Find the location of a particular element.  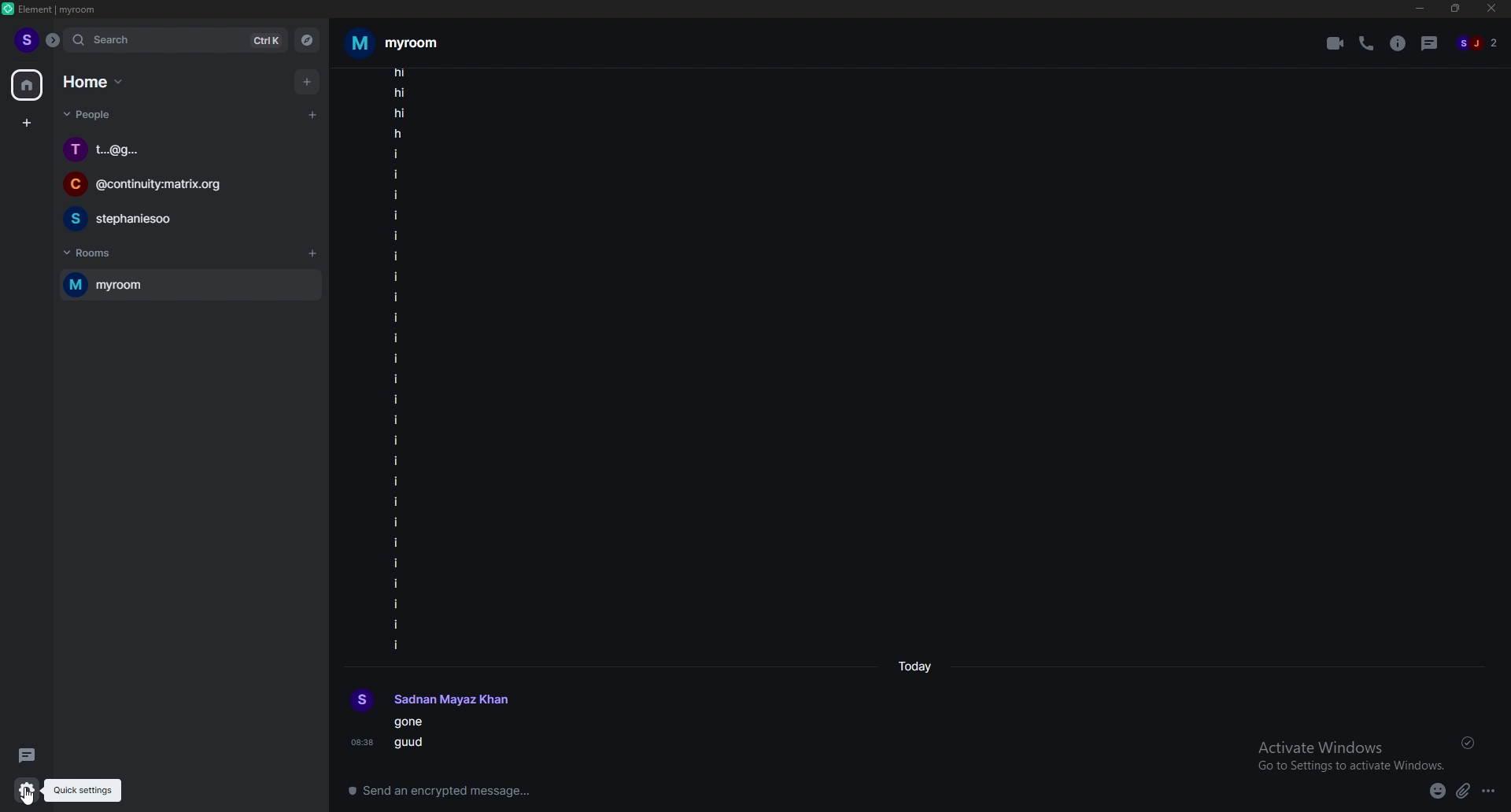

thread is located at coordinates (22, 755).